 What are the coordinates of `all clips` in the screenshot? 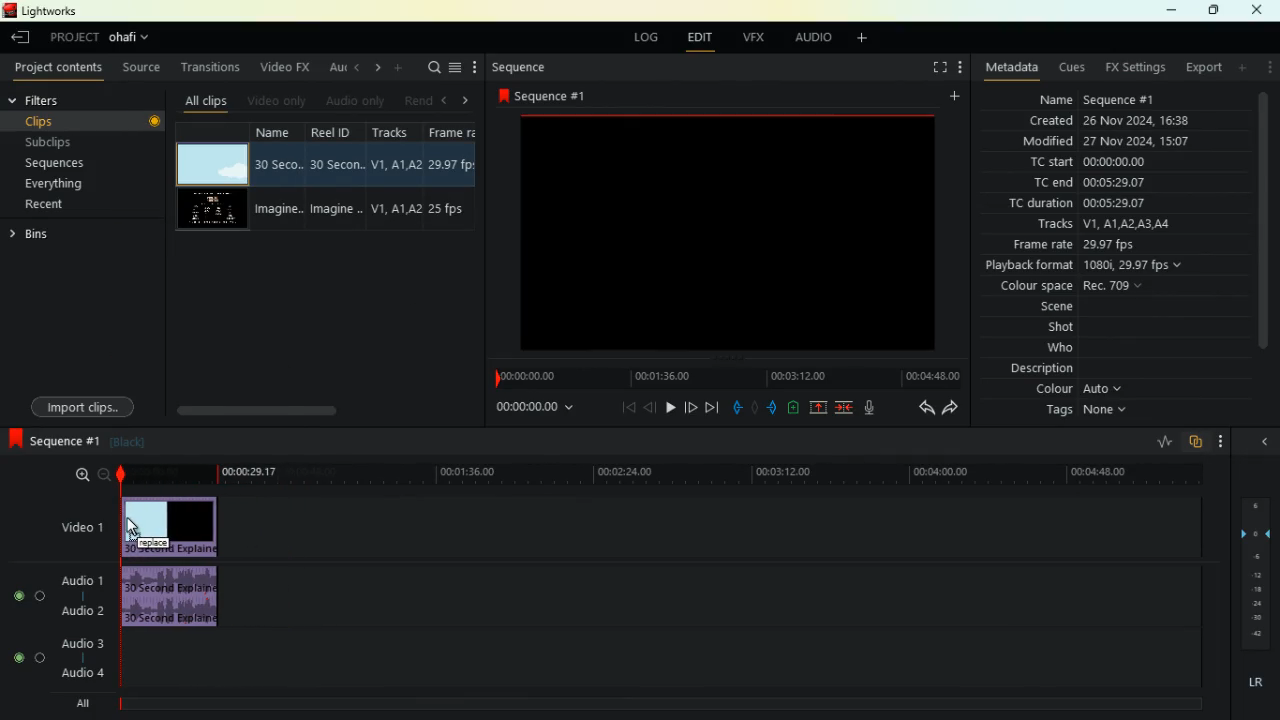 It's located at (208, 102).